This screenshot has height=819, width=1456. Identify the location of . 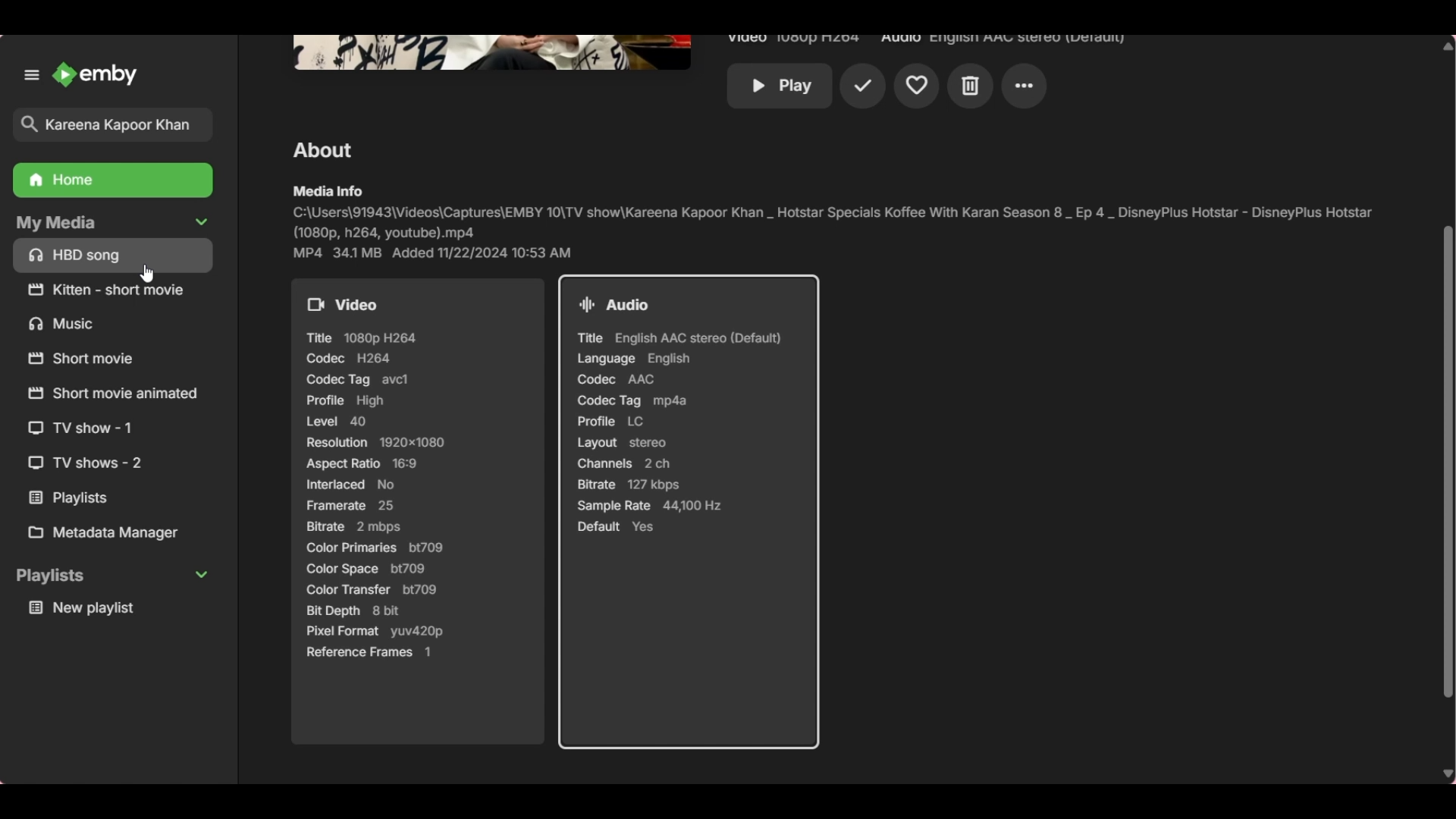
(91, 497).